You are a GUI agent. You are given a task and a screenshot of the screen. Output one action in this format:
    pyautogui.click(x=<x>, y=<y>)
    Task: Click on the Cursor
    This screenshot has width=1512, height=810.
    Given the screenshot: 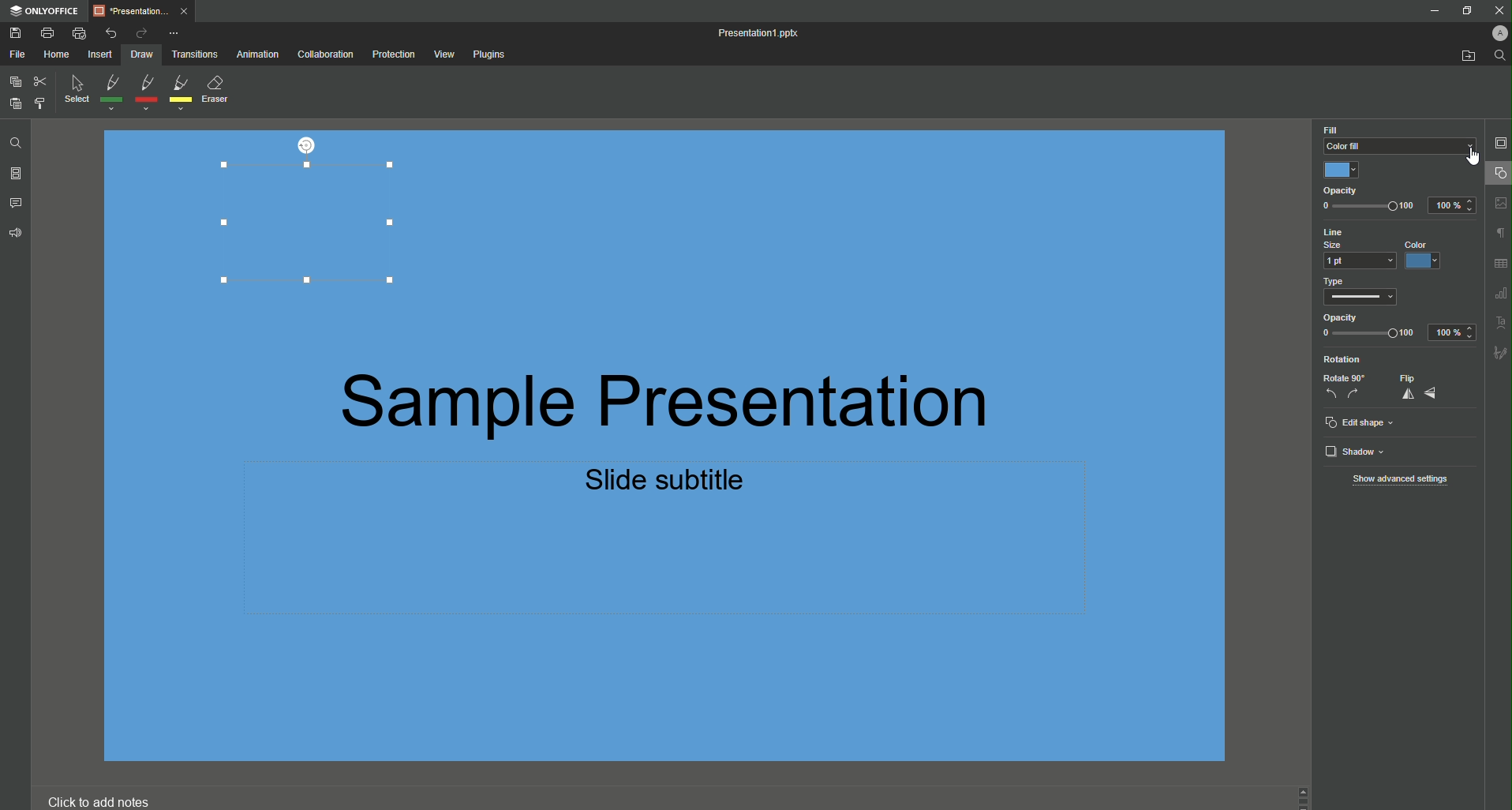 What is the action you would take?
    pyautogui.click(x=1494, y=182)
    